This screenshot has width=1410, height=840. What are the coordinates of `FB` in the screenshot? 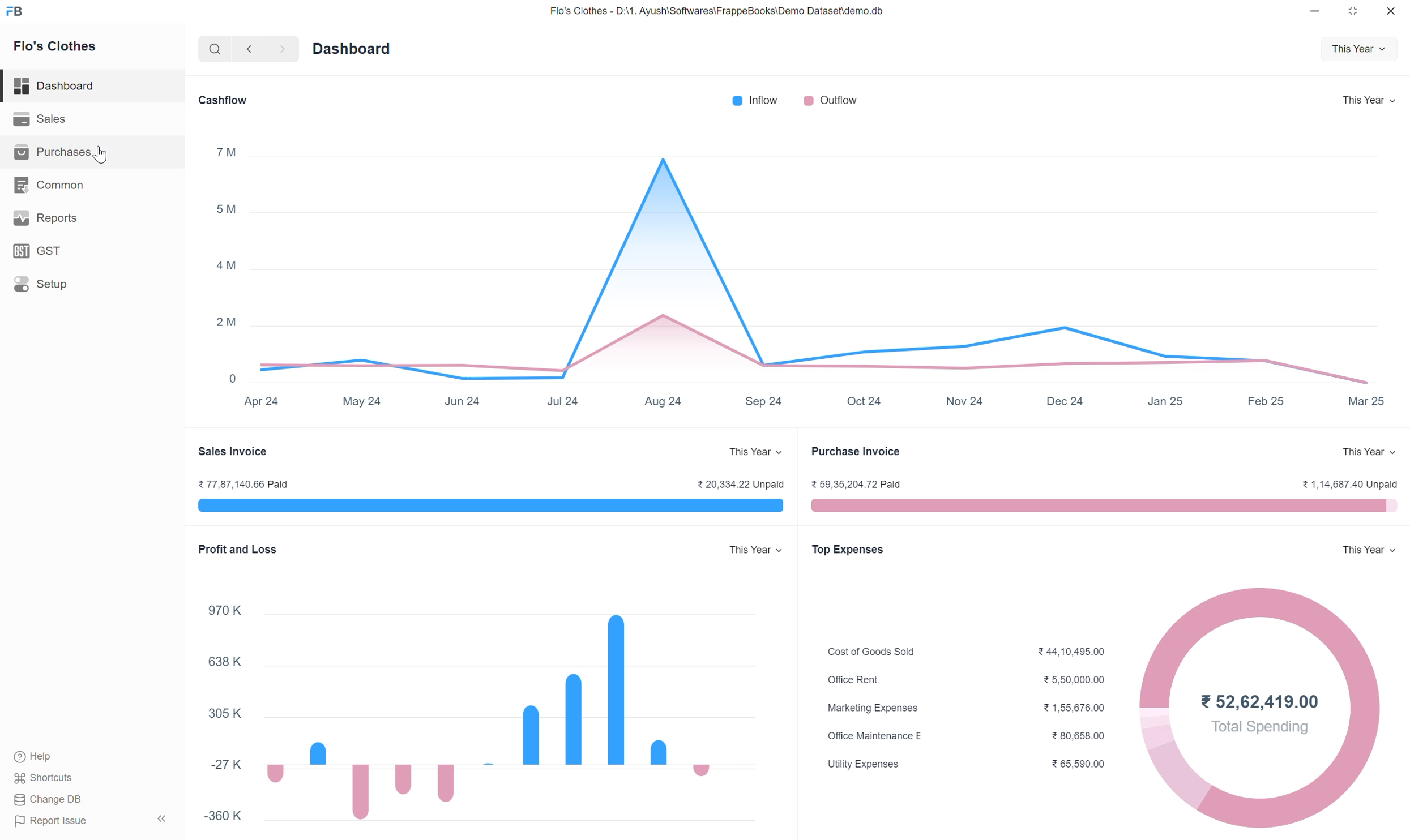 It's located at (15, 11).